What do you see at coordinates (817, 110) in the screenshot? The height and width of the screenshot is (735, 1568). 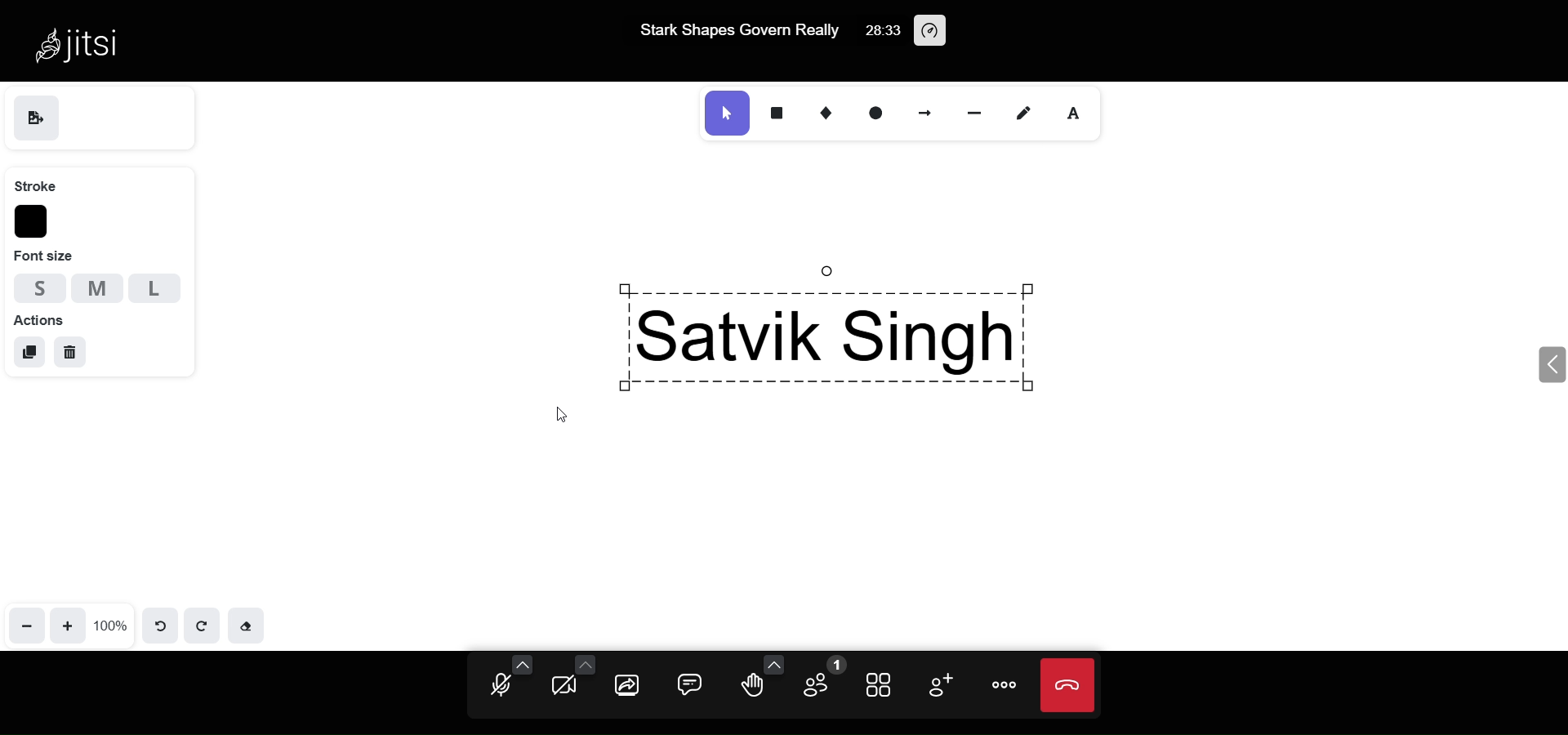 I see `diamond` at bounding box center [817, 110].